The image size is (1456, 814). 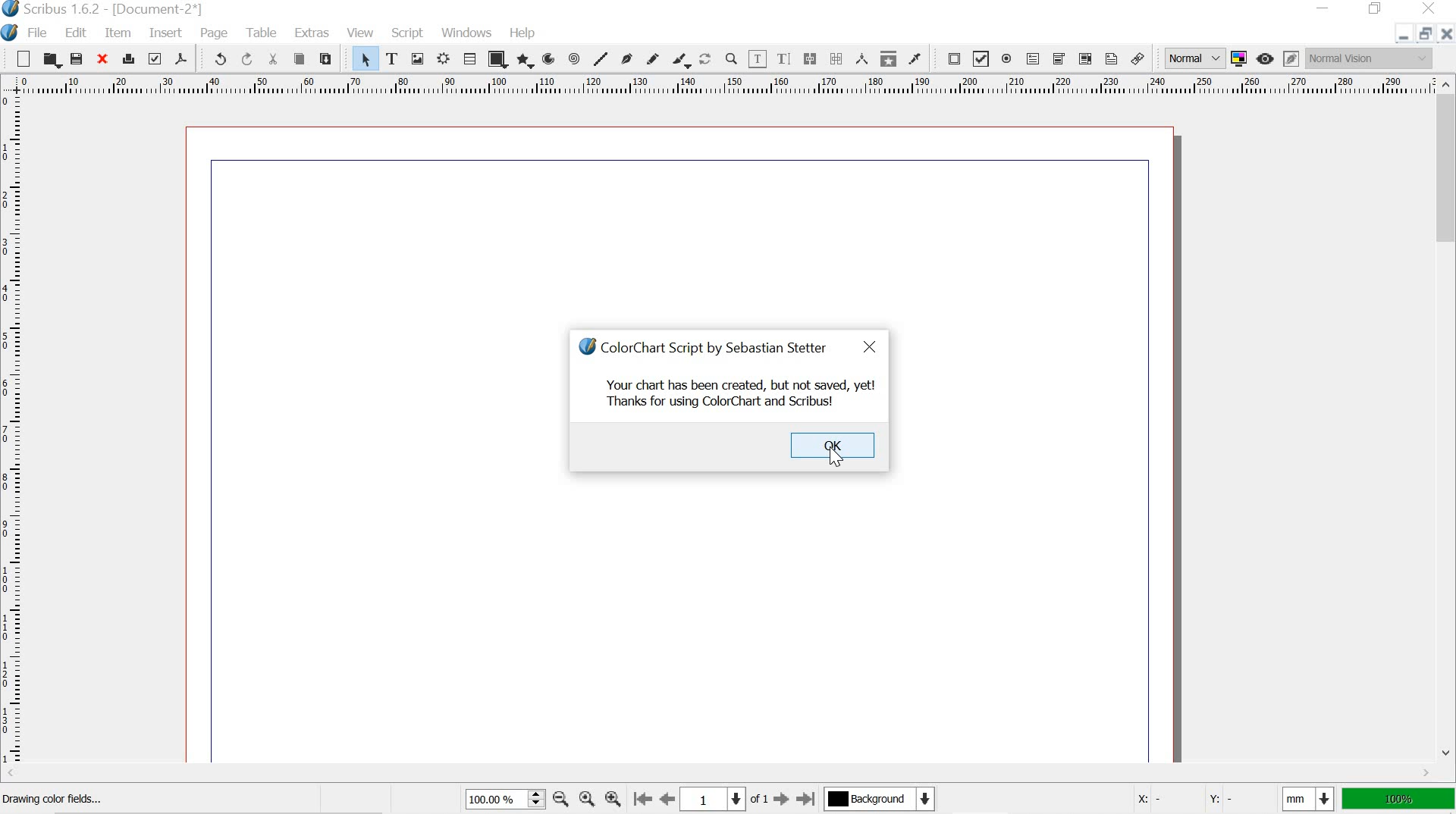 What do you see at coordinates (14, 433) in the screenshot?
I see `ruler` at bounding box center [14, 433].